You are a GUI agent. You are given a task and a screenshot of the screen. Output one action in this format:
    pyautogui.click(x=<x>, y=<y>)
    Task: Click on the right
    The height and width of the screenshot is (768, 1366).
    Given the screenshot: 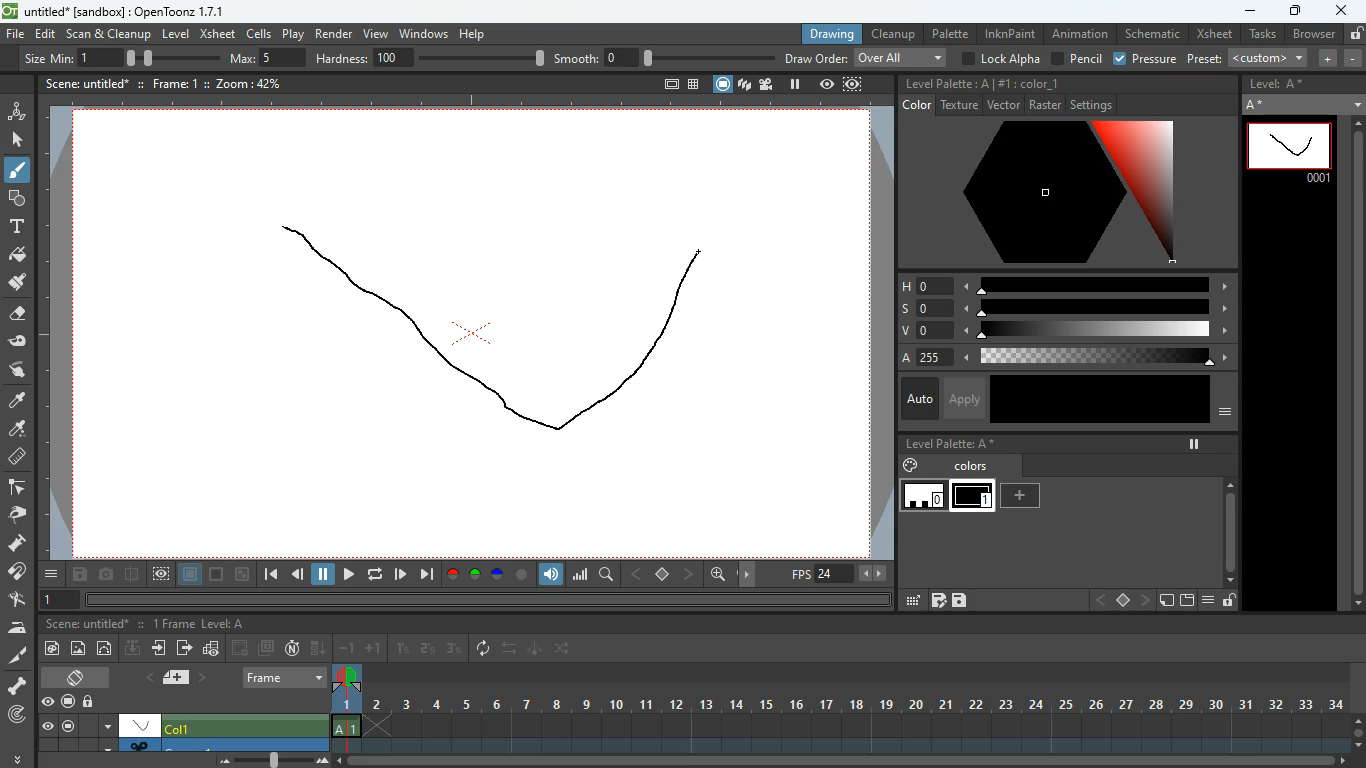 What is the action you would take?
    pyautogui.click(x=1144, y=601)
    